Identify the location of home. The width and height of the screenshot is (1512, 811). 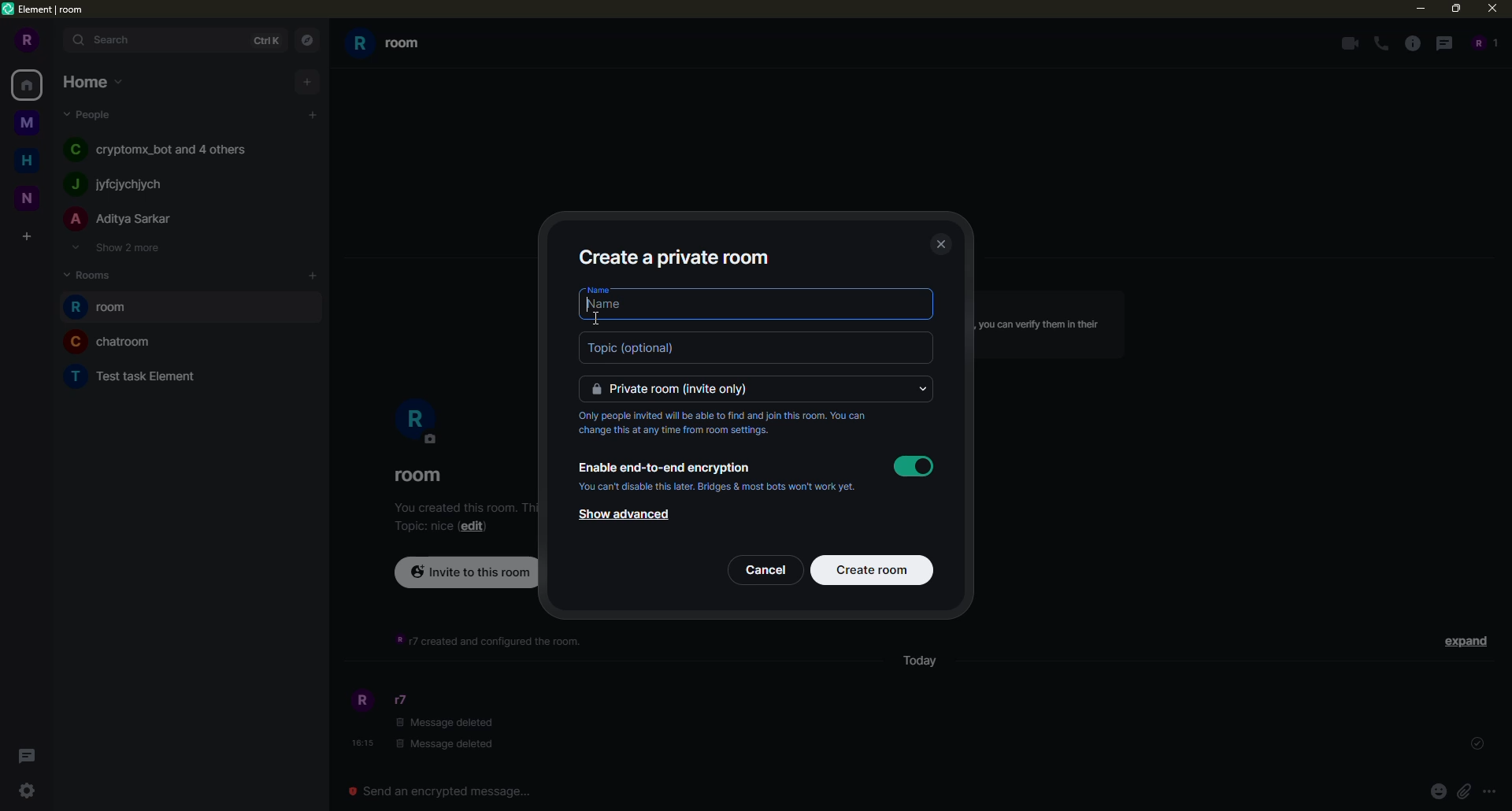
(31, 161).